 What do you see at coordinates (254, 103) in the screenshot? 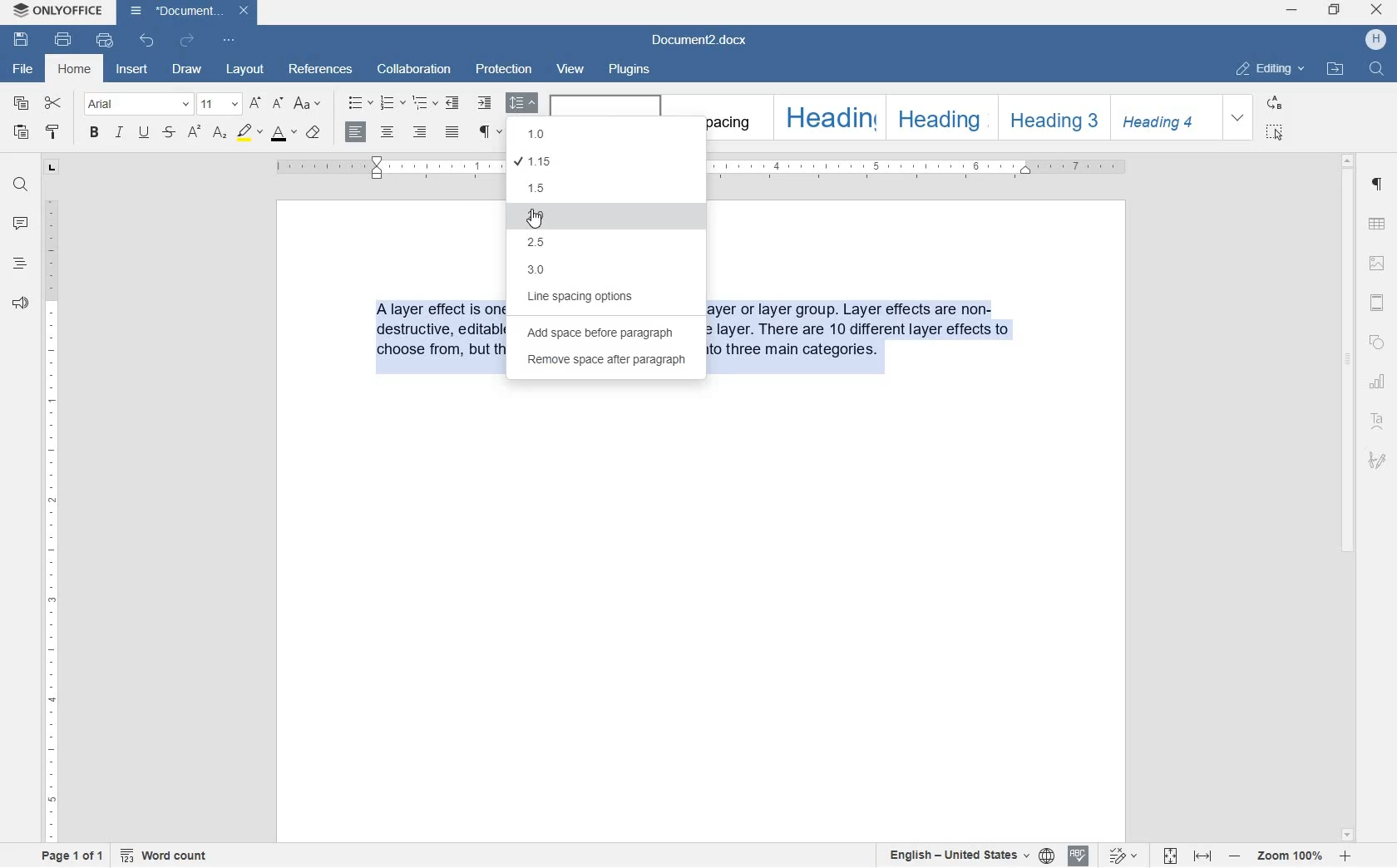
I see `increment font size` at bounding box center [254, 103].